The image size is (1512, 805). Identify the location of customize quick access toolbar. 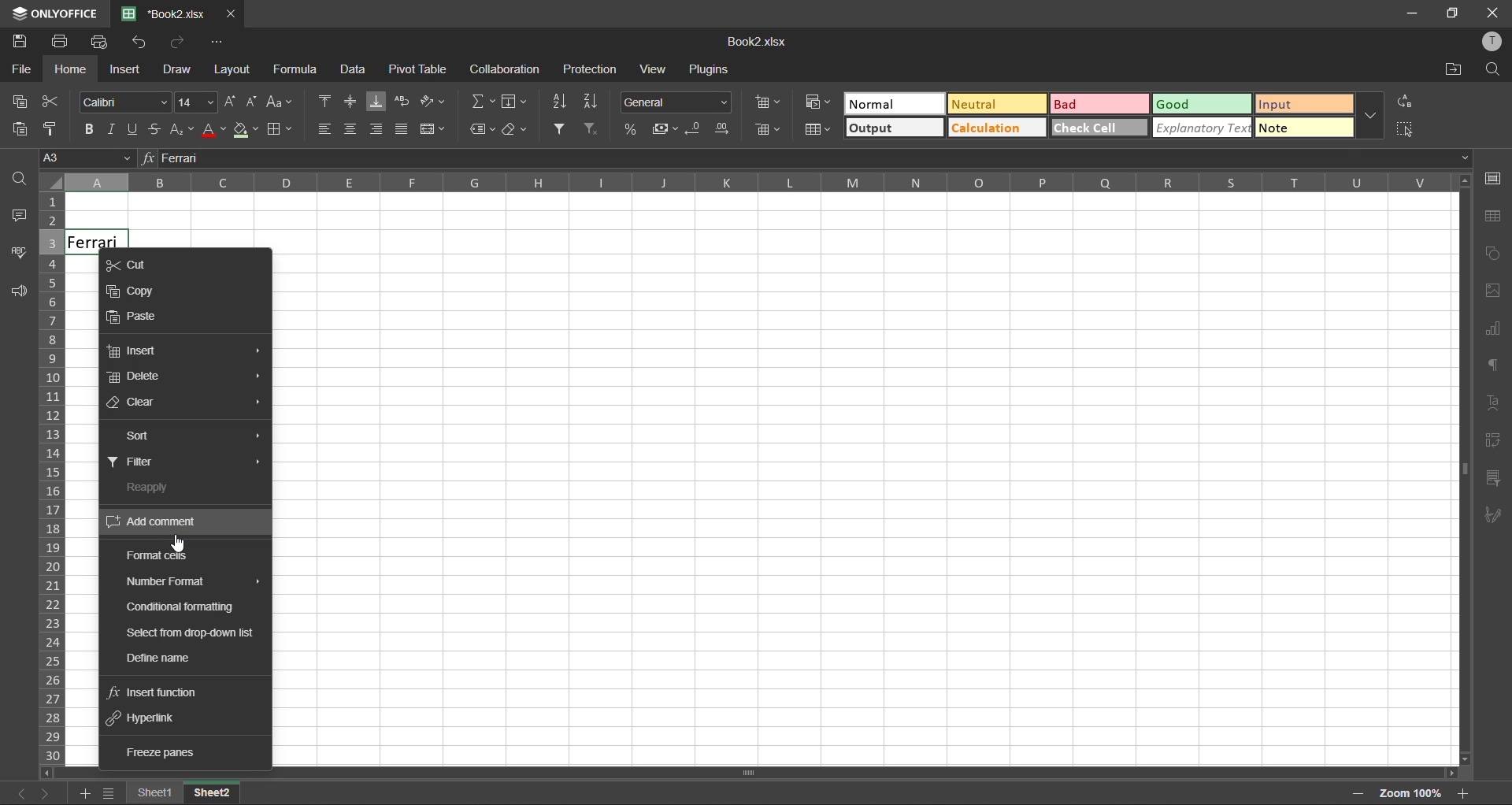
(224, 42).